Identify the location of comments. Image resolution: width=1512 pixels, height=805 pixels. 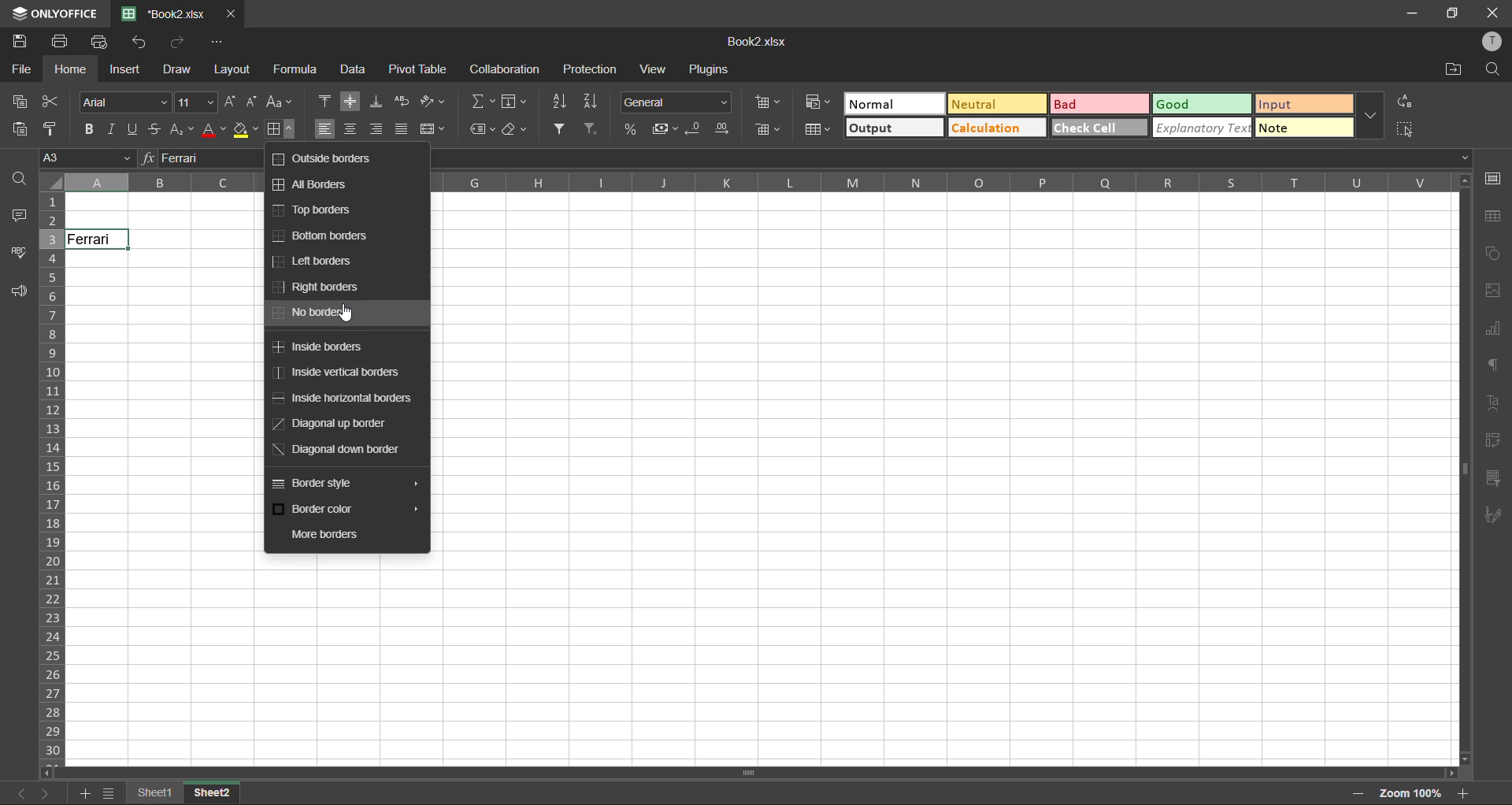
(16, 216).